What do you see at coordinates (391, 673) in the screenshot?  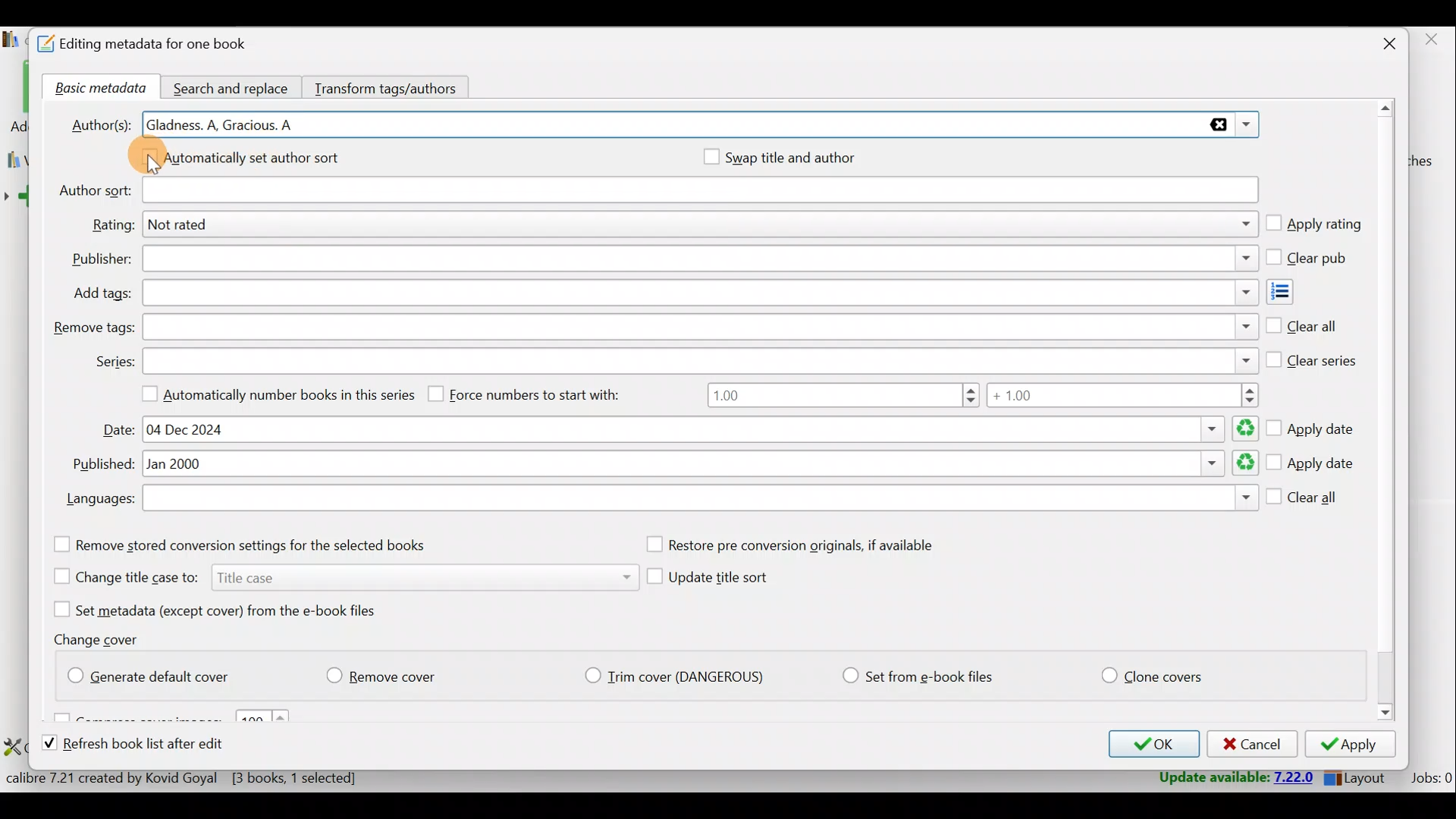 I see `Remove cover` at bounding box center [391, 673].